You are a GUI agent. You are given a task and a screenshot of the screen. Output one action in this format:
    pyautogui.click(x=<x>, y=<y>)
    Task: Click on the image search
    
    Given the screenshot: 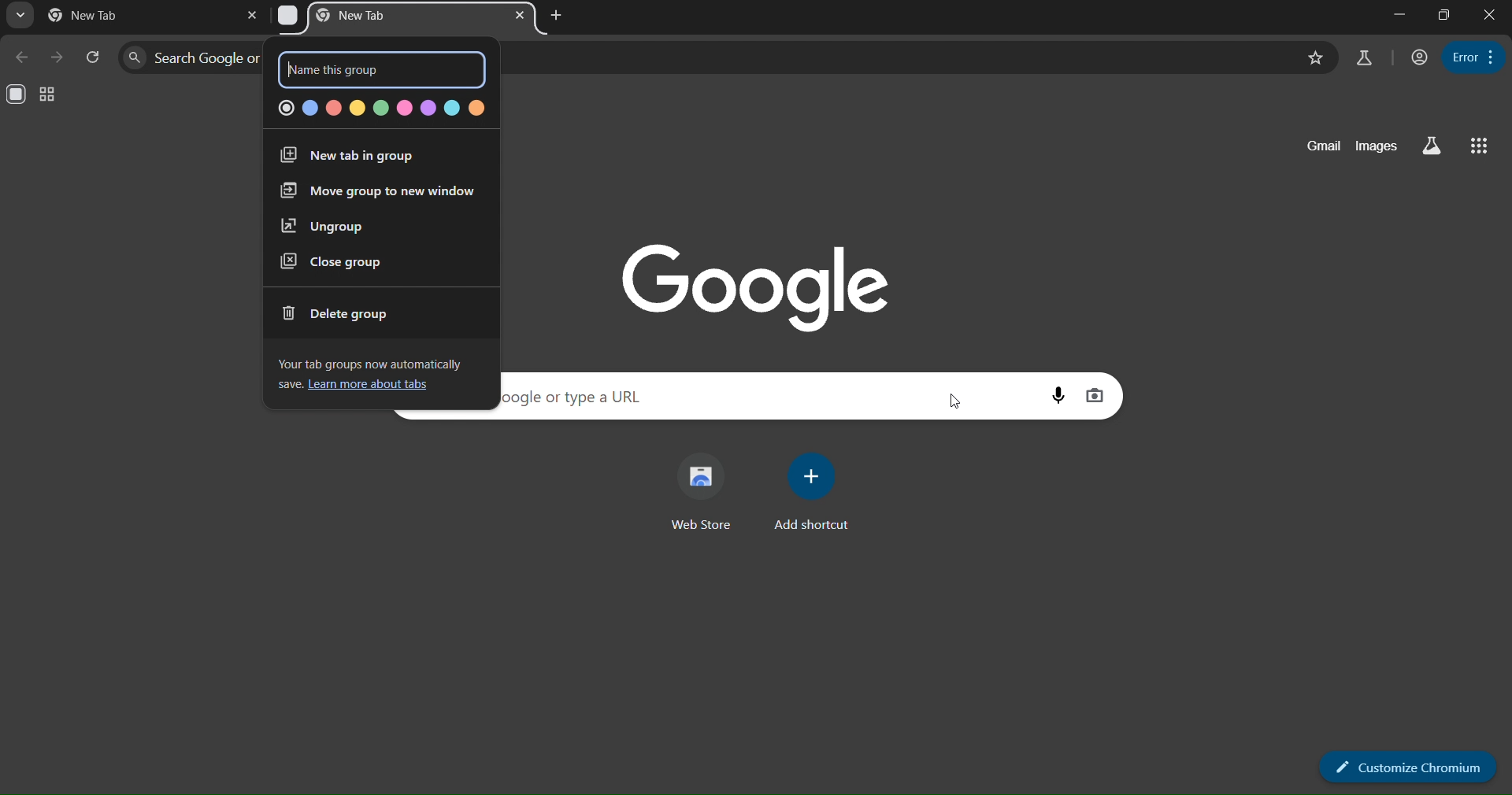 What is the action you would take?
    pyautogui.click(x=1096, y=397)
    